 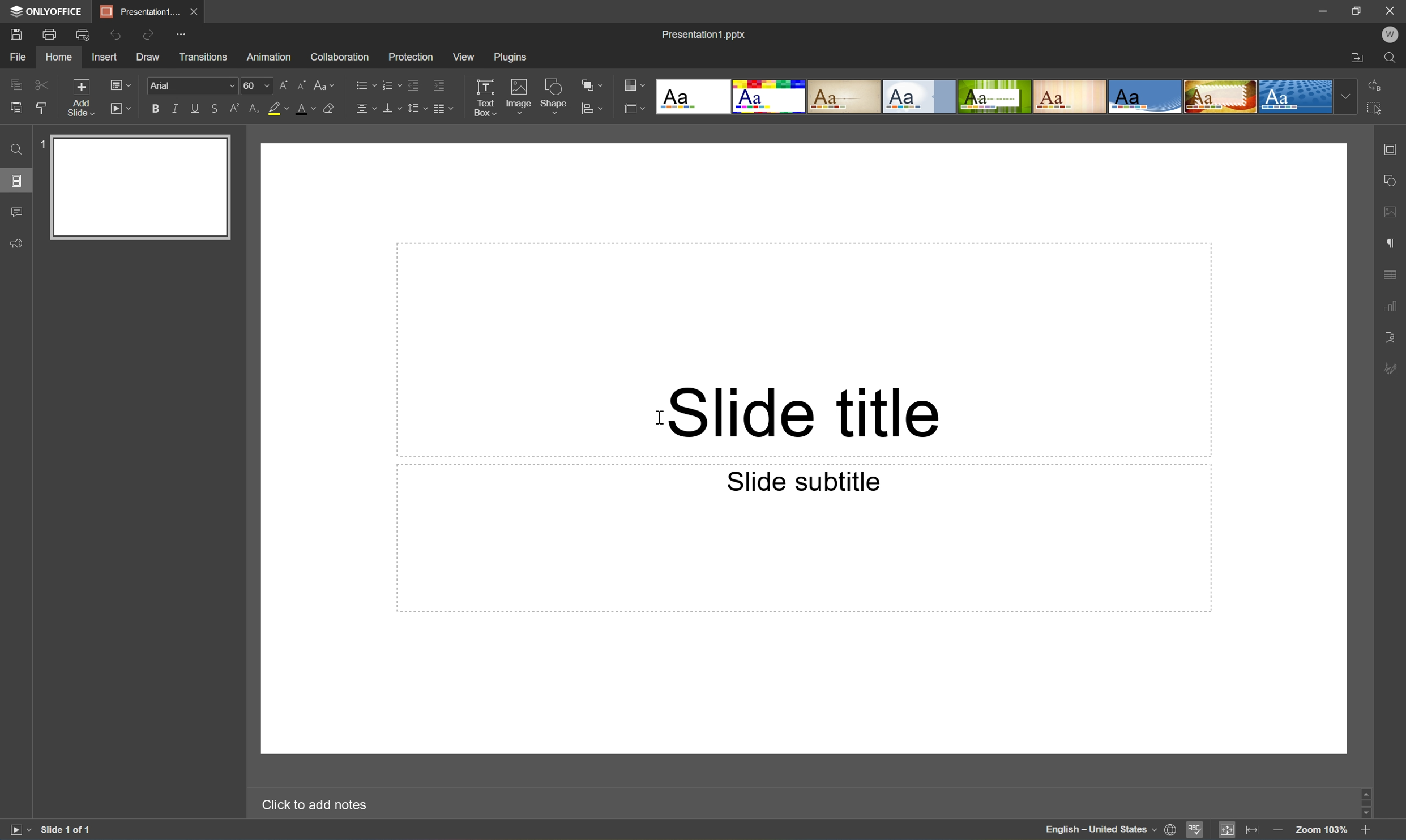 What do you see at coordinates (17, 182) in the screenshot?
I see `Slides` at bounding box center [17, 182].